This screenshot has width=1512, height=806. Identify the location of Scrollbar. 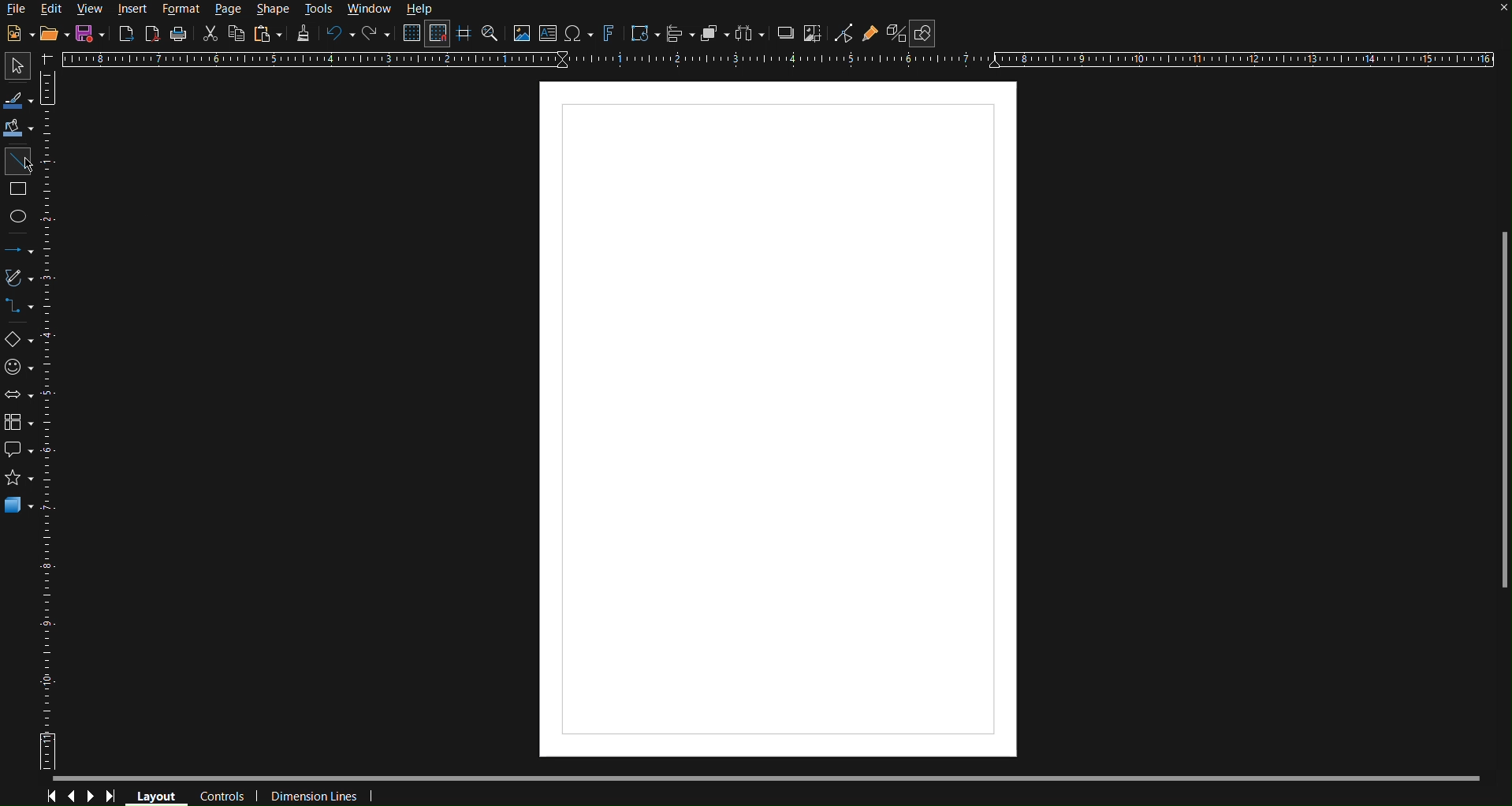
(1502, 411).